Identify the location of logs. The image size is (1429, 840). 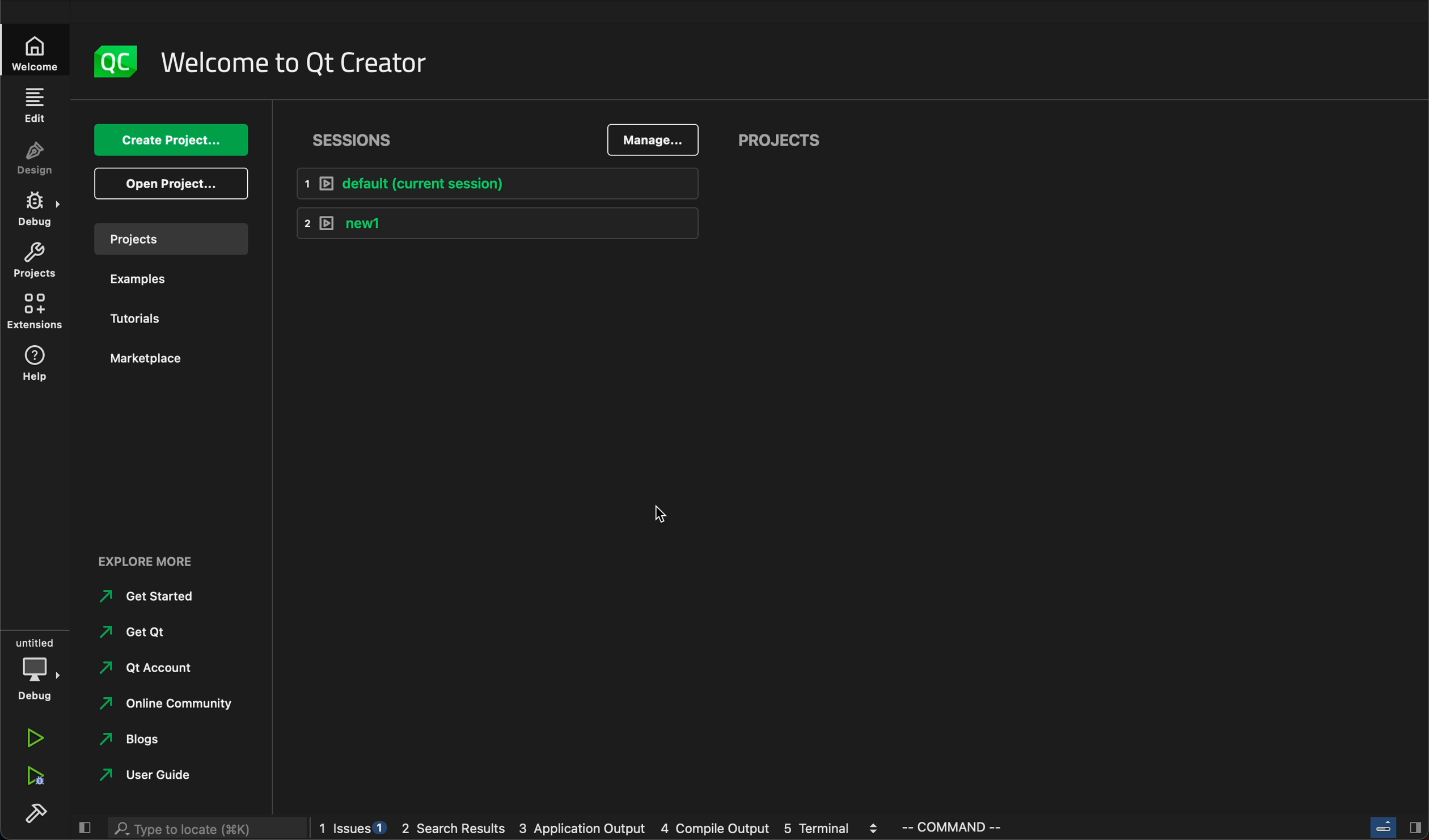
(602, 829).